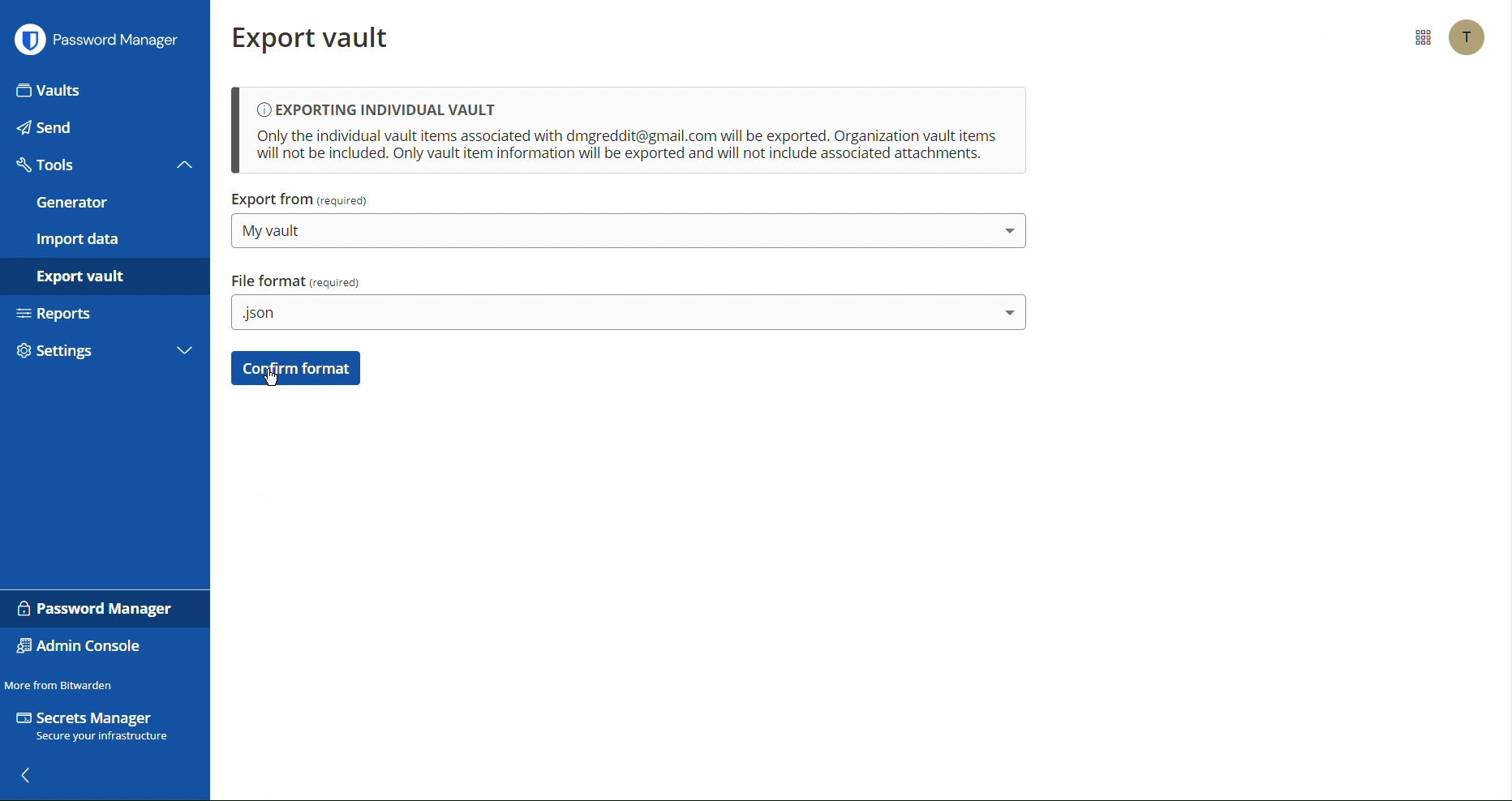 Image resolution: width=1512 pixels, height=801 pixels. I want to click on Move from Bitwarden, so click(62, 682).